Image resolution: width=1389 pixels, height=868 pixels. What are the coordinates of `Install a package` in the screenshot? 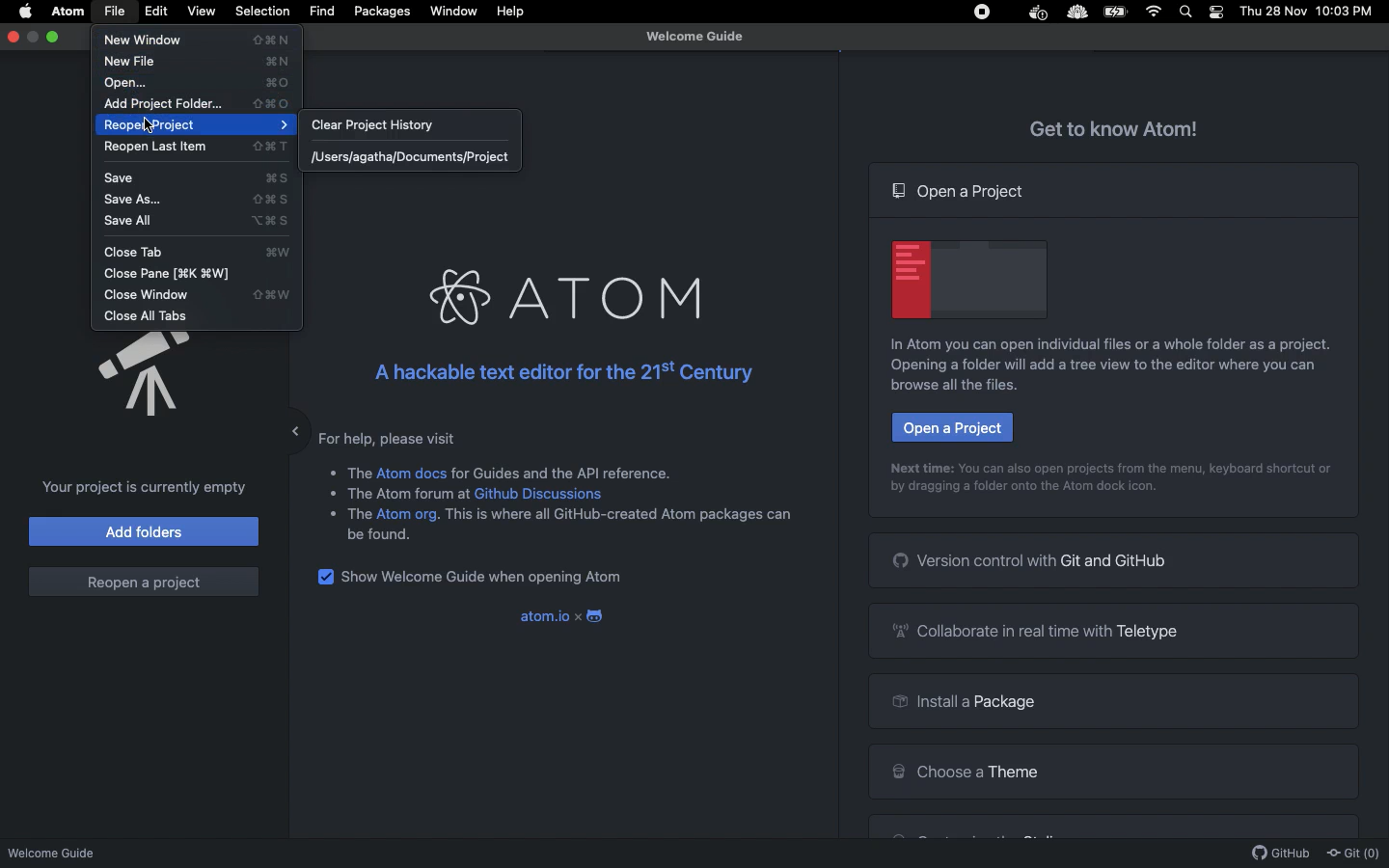 It's located at (960, 704).